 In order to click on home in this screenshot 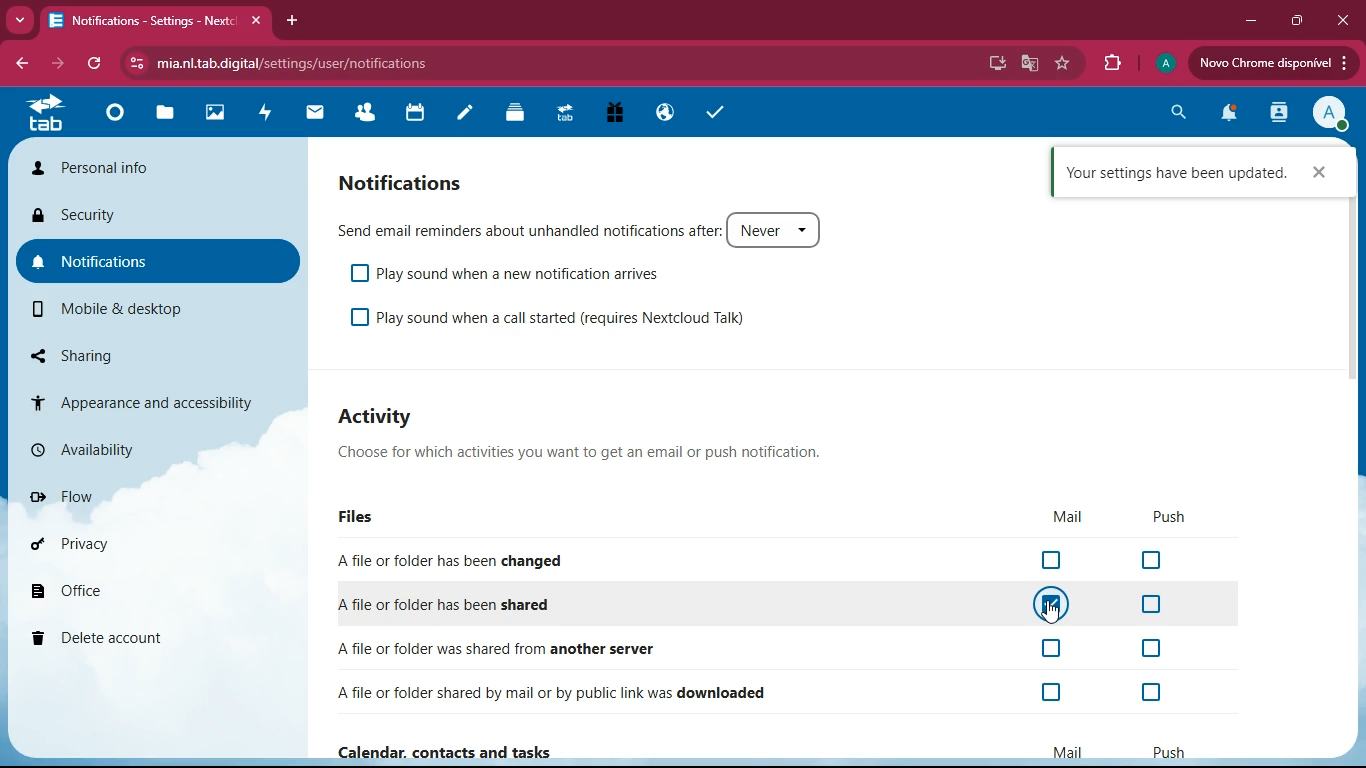, I will do `click(114, 117)`.